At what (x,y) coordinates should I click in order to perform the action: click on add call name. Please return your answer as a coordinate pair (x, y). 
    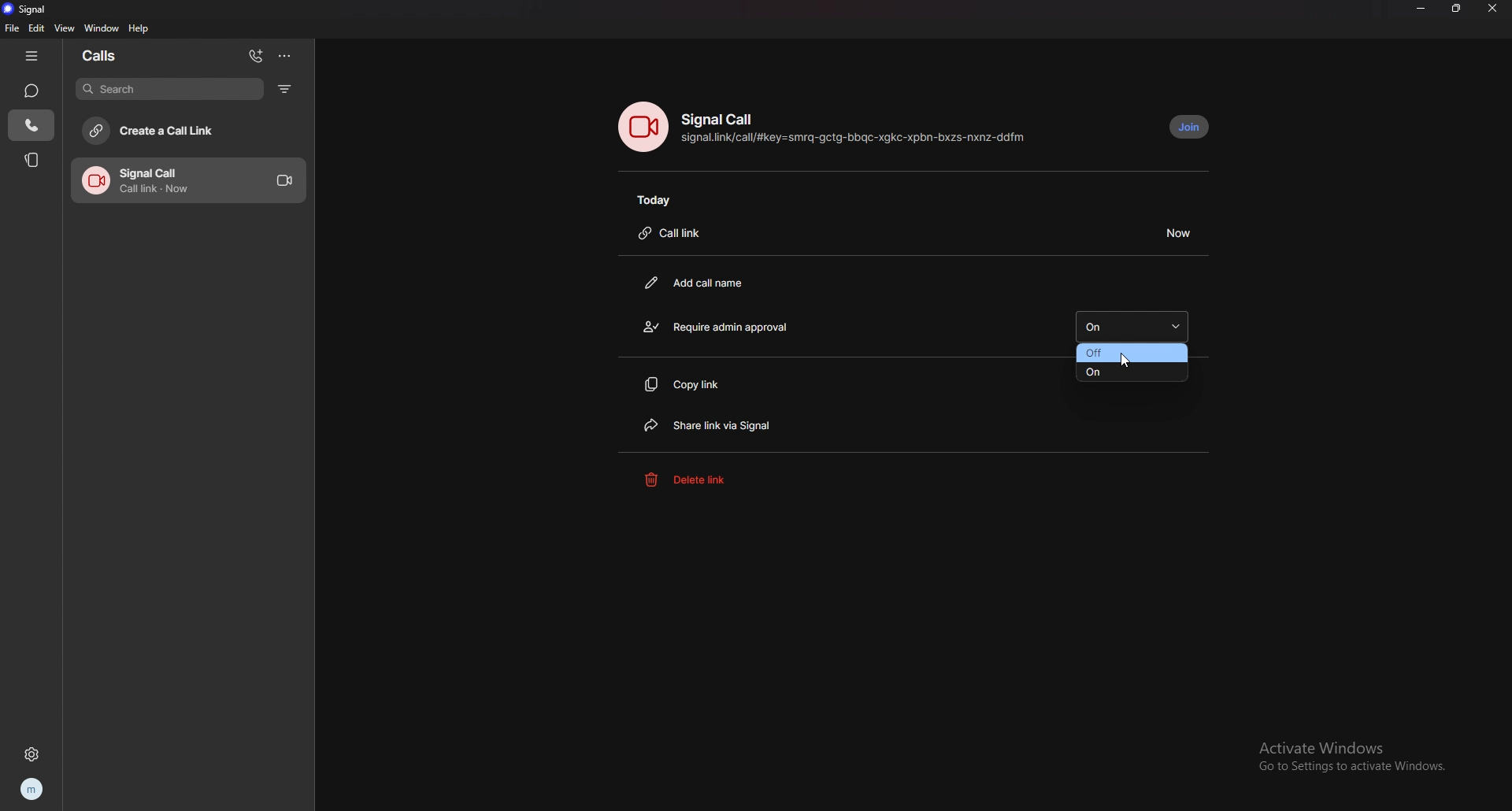
    Looking at the image, I should click on (699, 284).